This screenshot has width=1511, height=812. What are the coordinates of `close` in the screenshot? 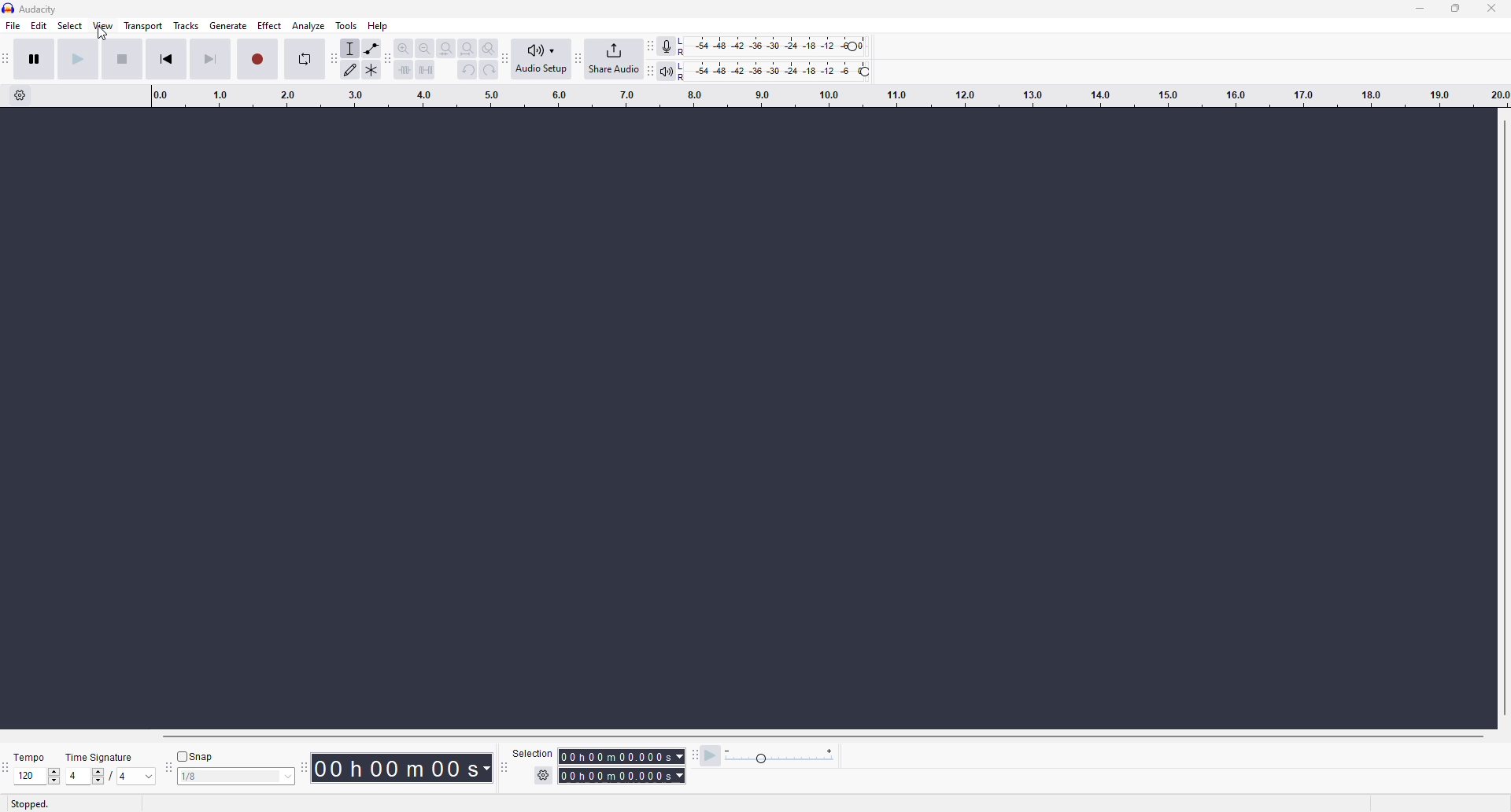 It's located at (1491, 10).